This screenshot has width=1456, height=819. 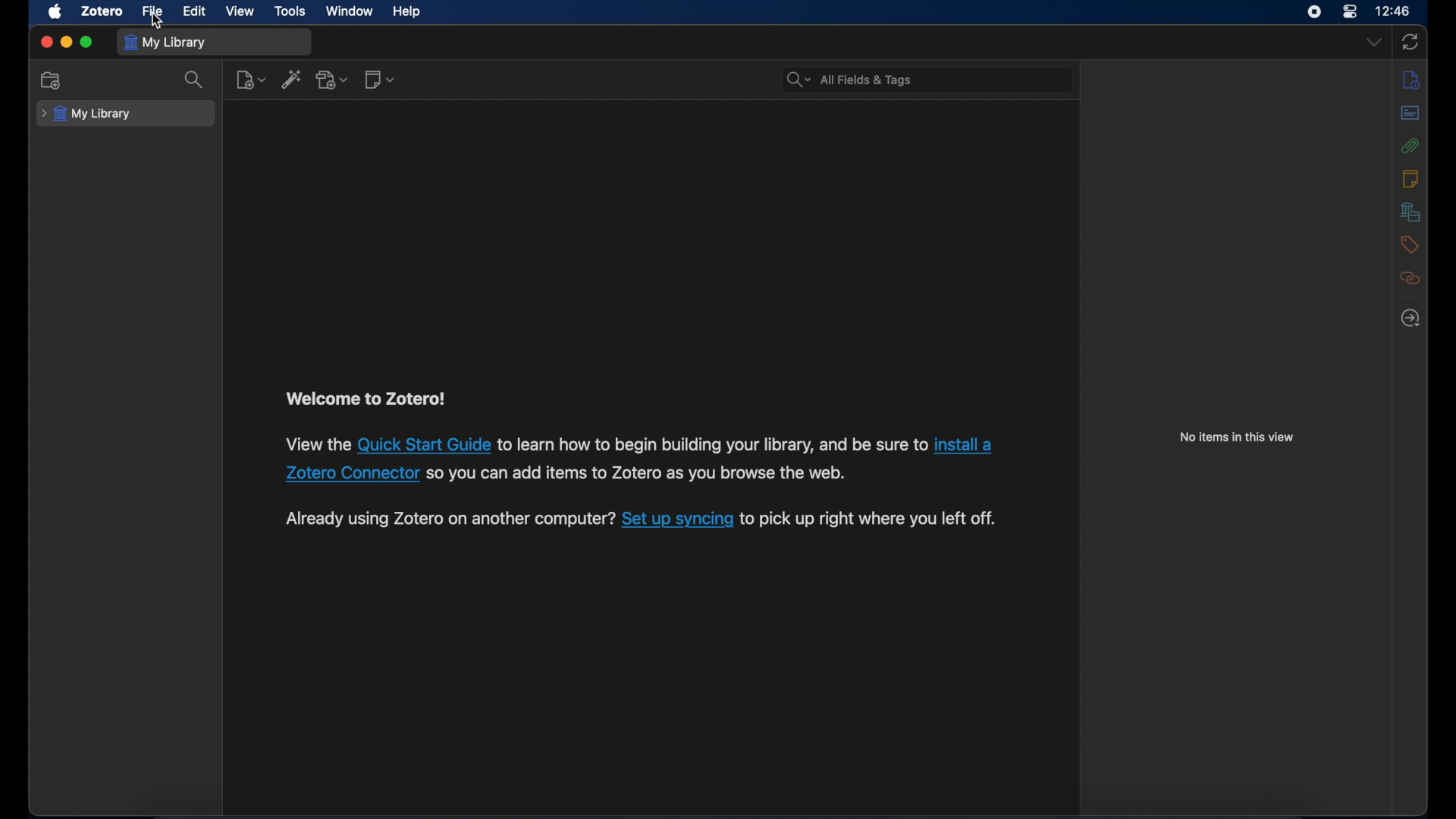 I want to click on minimize, so click(x=65, y=42).